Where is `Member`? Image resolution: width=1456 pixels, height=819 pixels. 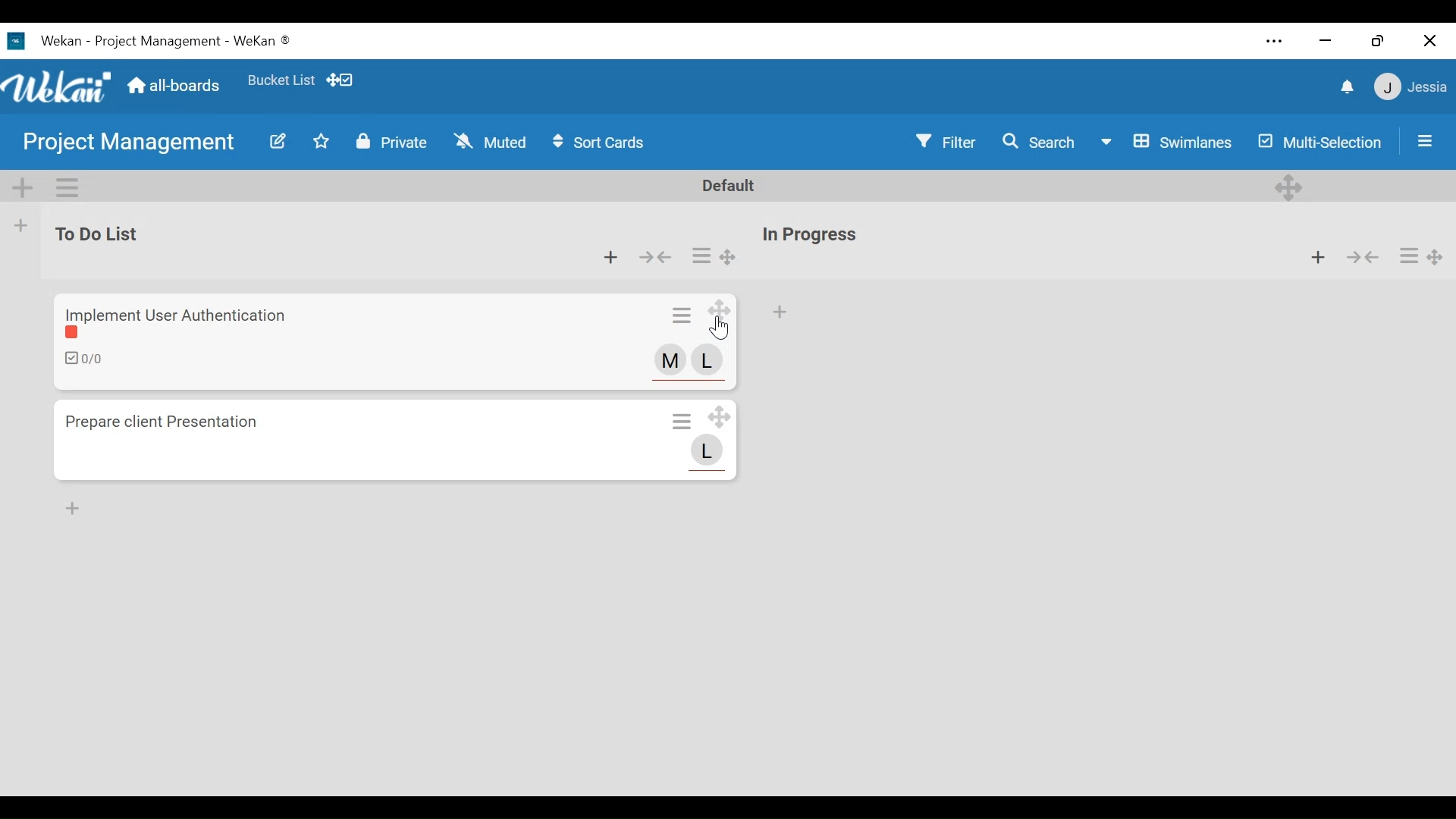 Member is located at coordinates (666, 361).